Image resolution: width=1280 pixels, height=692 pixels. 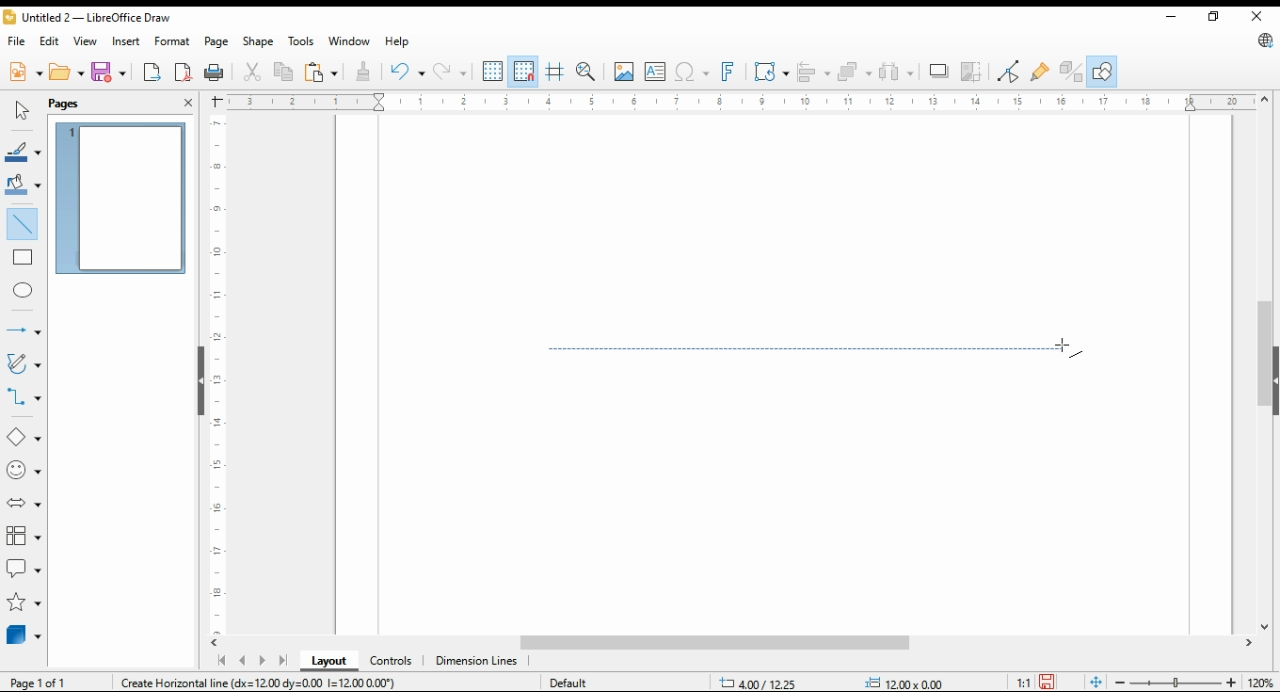 I want to click on close pane, so click(x=189, y=102).